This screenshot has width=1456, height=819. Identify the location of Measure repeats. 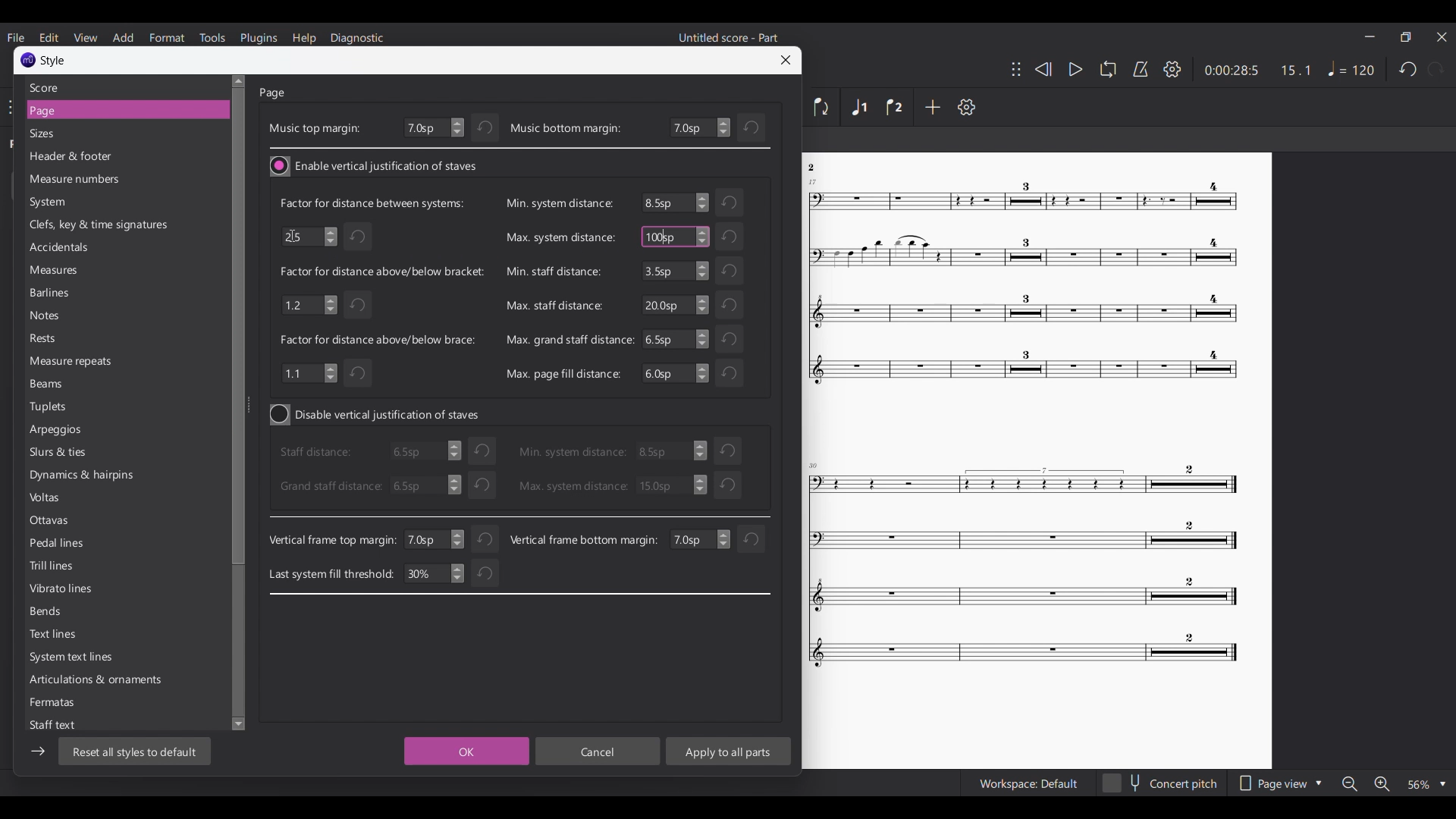
(74, 361).